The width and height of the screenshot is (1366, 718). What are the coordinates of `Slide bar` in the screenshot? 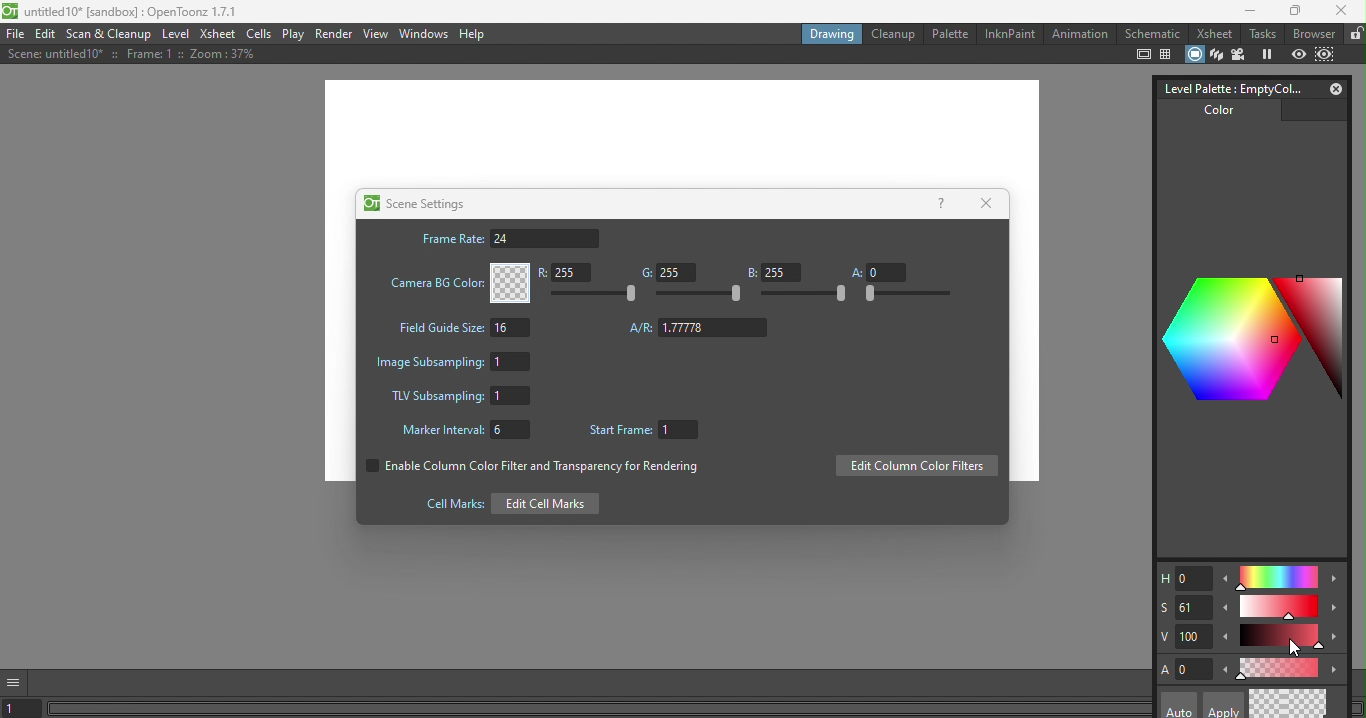 It's located at (1281, 638).